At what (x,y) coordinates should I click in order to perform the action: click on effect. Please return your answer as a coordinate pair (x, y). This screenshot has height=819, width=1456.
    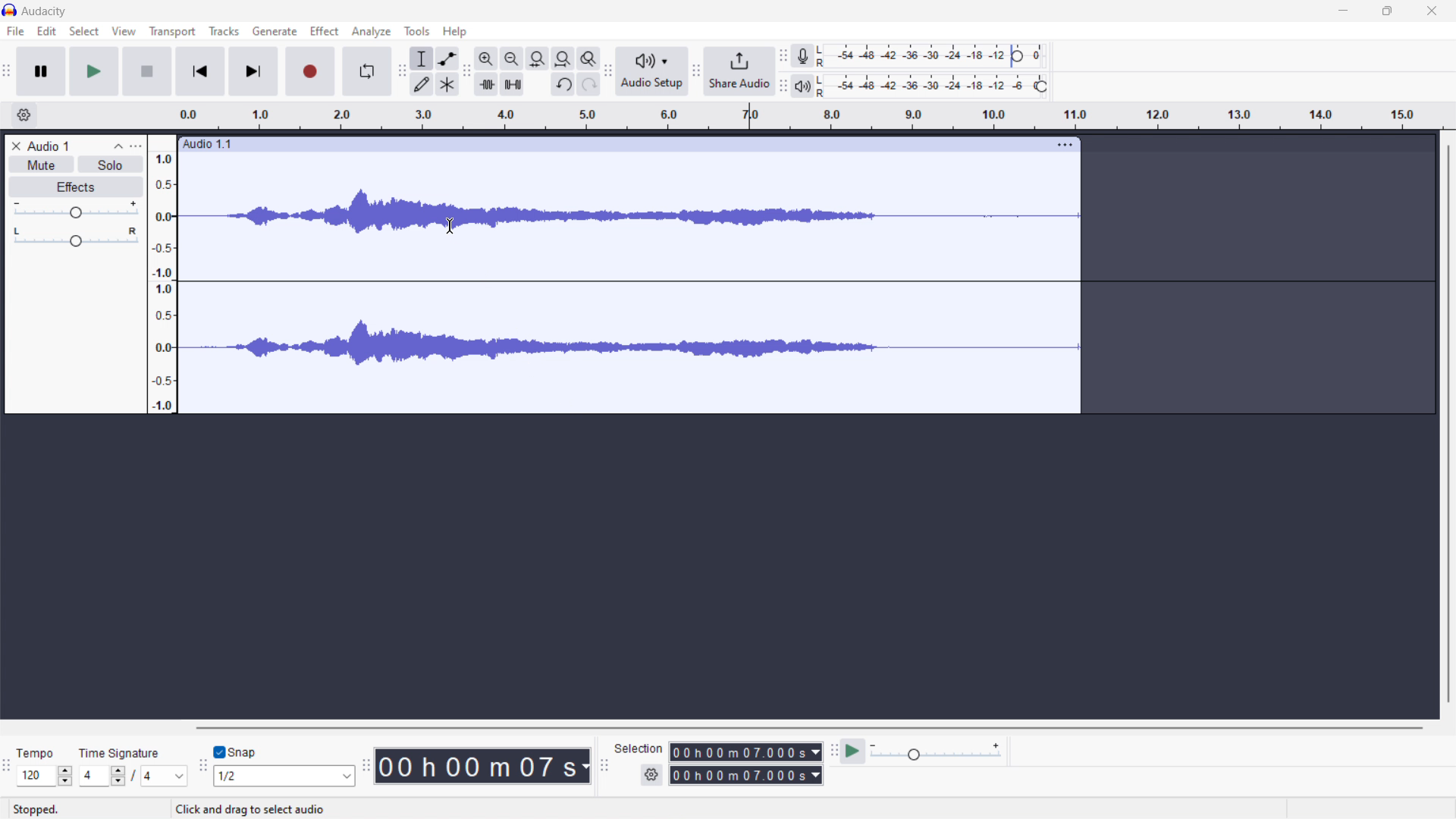
    Looking at the image, I should click on (325, 31).